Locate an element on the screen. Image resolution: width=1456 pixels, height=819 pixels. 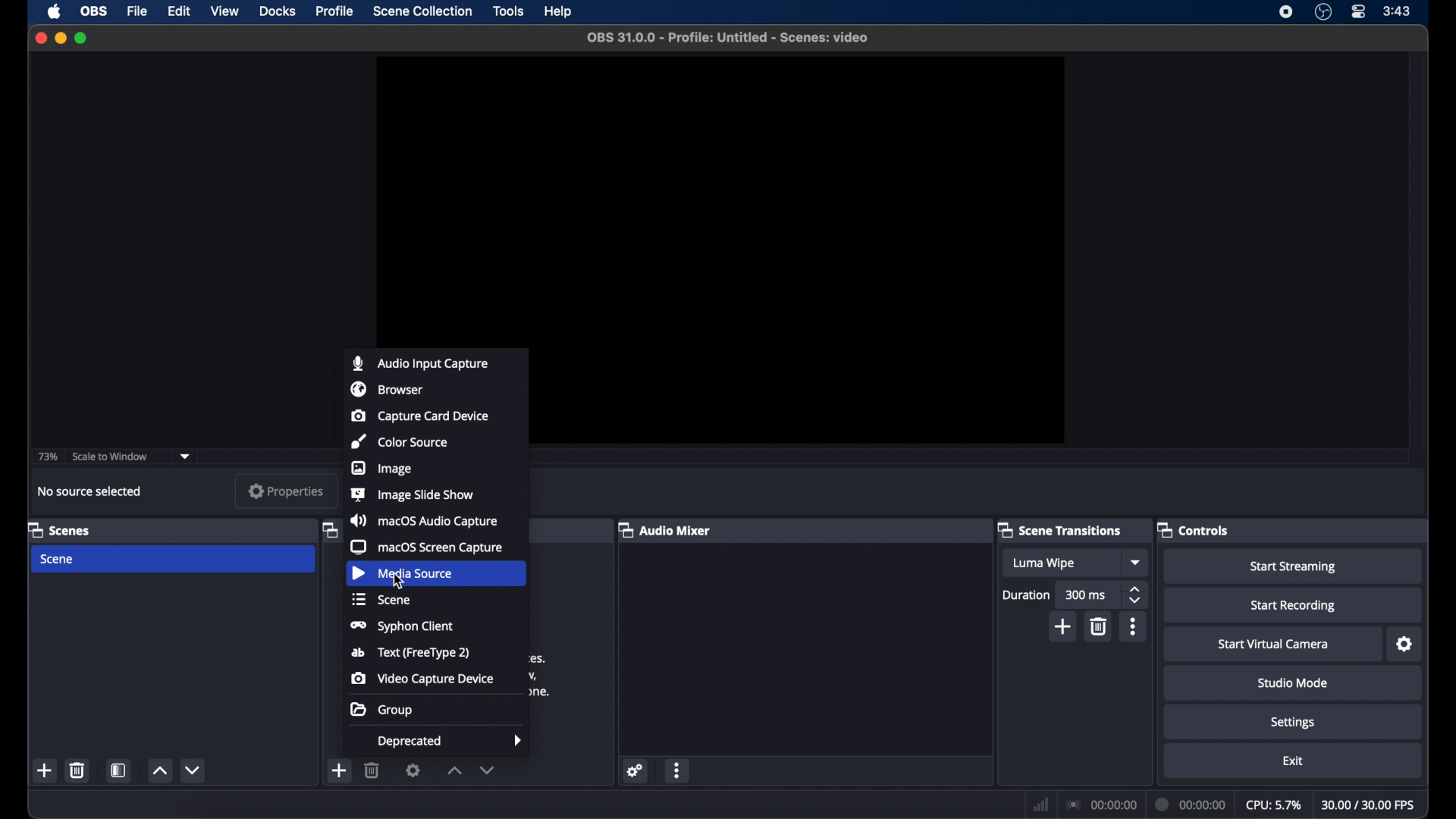
cpu: 5.7% is located at coordinates (1272, 805).